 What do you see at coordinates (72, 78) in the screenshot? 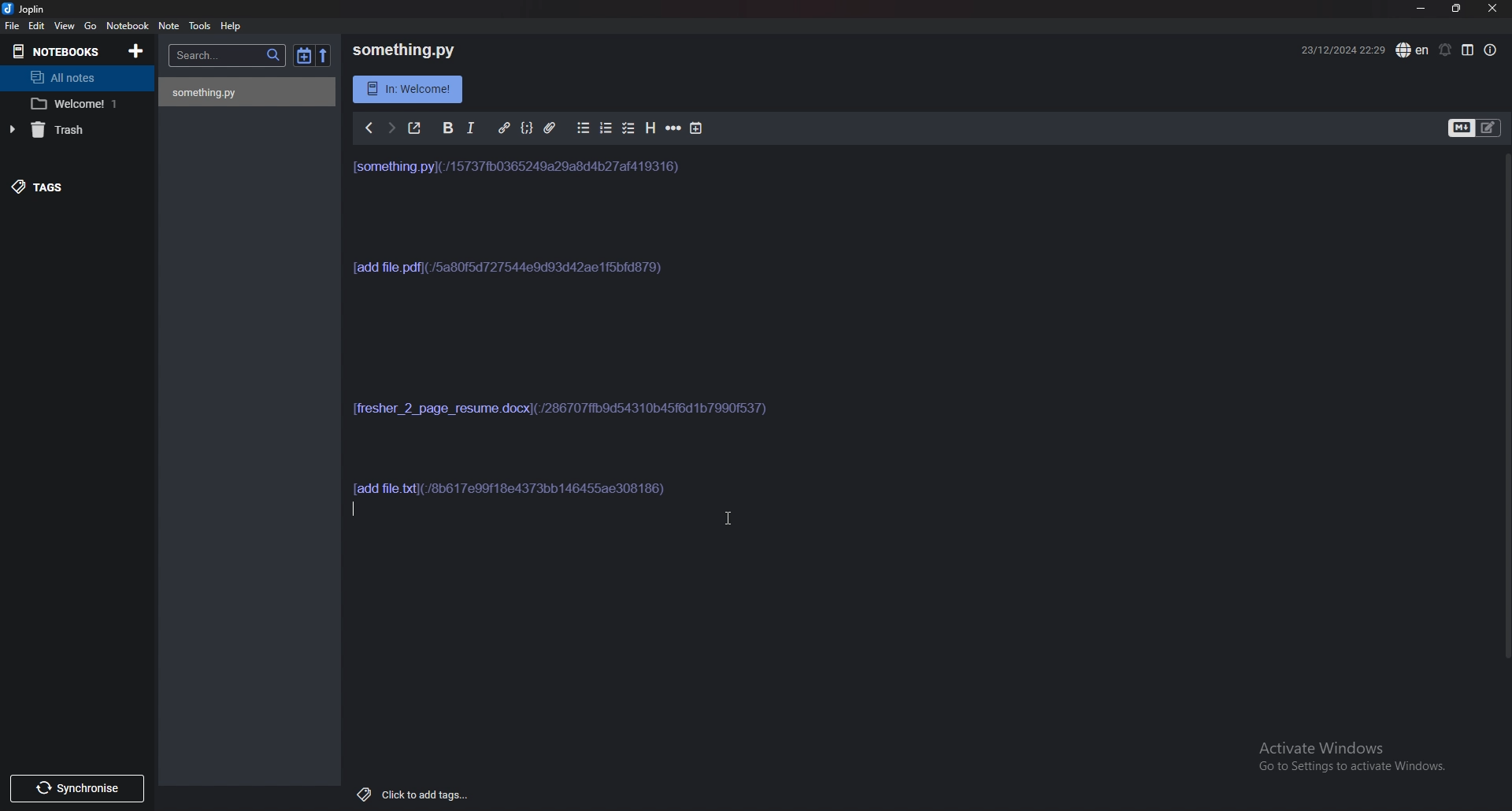
I see `All notes` at bounding box center [72, 78].